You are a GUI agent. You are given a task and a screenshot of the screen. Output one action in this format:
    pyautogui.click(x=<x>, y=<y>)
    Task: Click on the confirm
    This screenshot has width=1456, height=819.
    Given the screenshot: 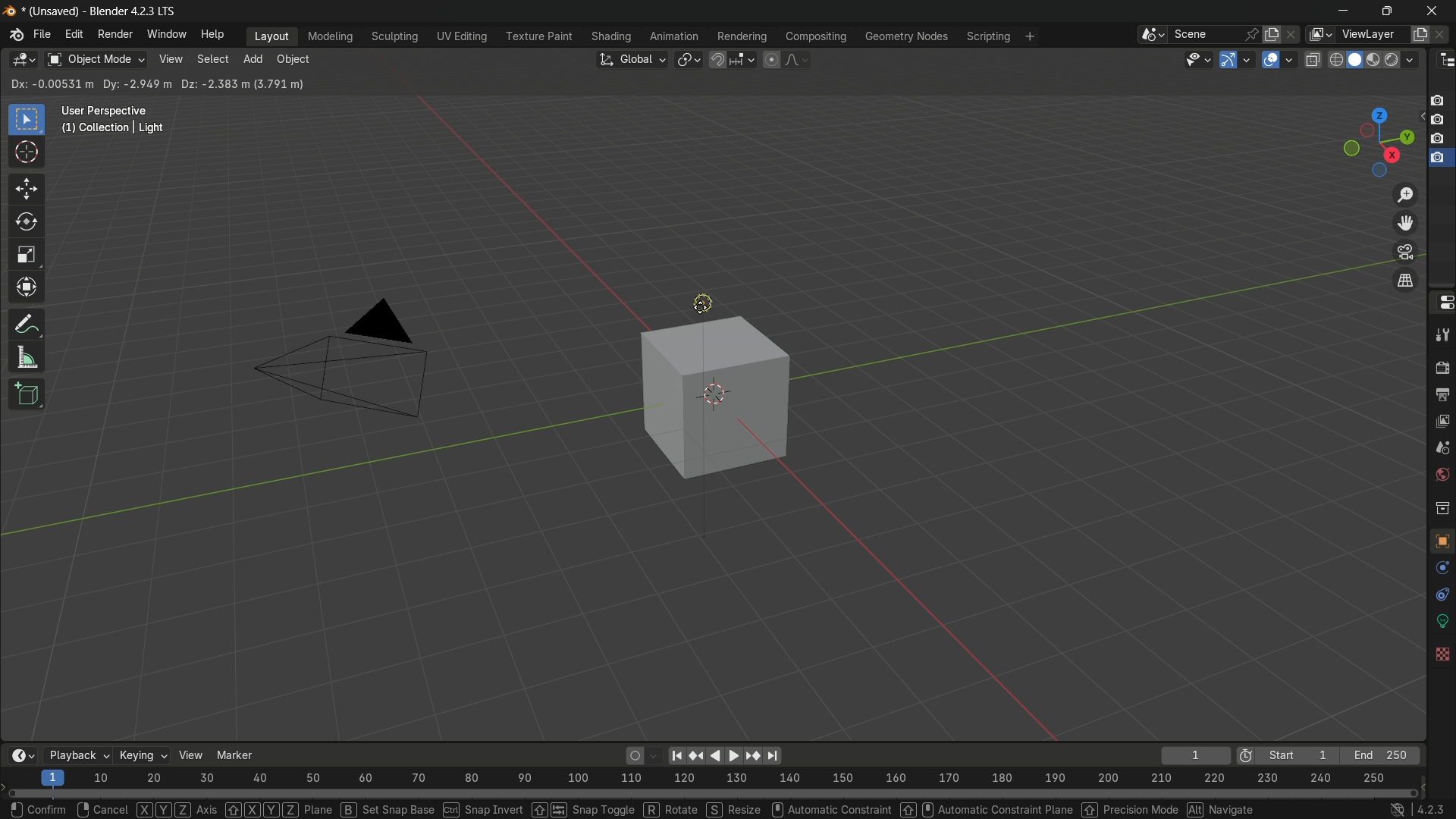 What is the action you would take?
    pyautogui.click(x=40, y=808)
    